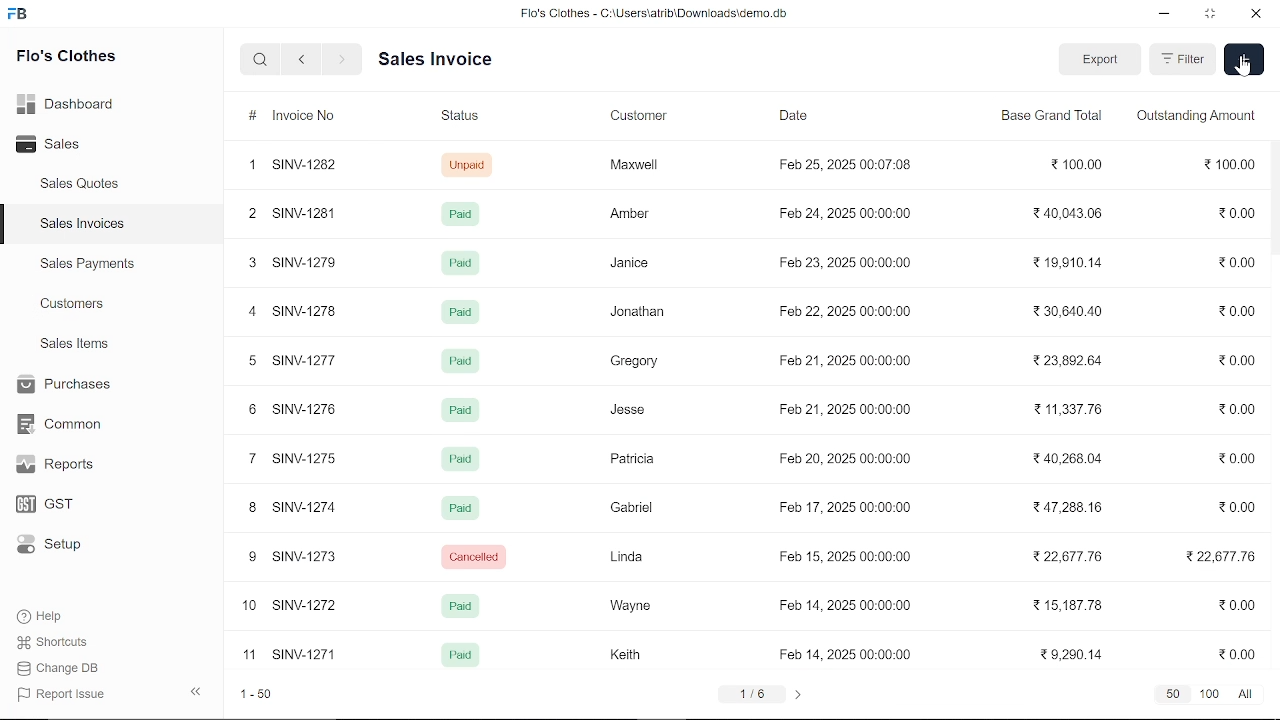 The width and height of the screenshot is (1280, 720). I want to click on Flo's Clothes, so click(66, 58).